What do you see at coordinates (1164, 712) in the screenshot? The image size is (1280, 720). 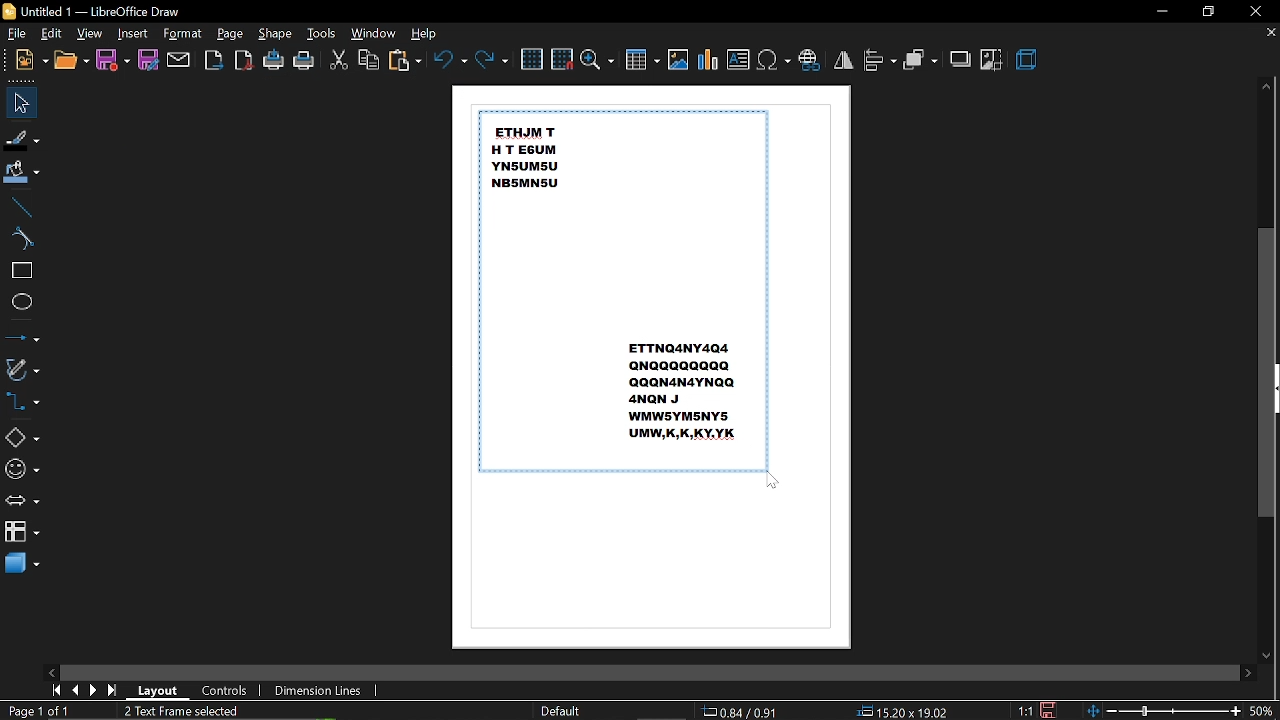 I see `change zoom` at bounding box center [1164, 712].